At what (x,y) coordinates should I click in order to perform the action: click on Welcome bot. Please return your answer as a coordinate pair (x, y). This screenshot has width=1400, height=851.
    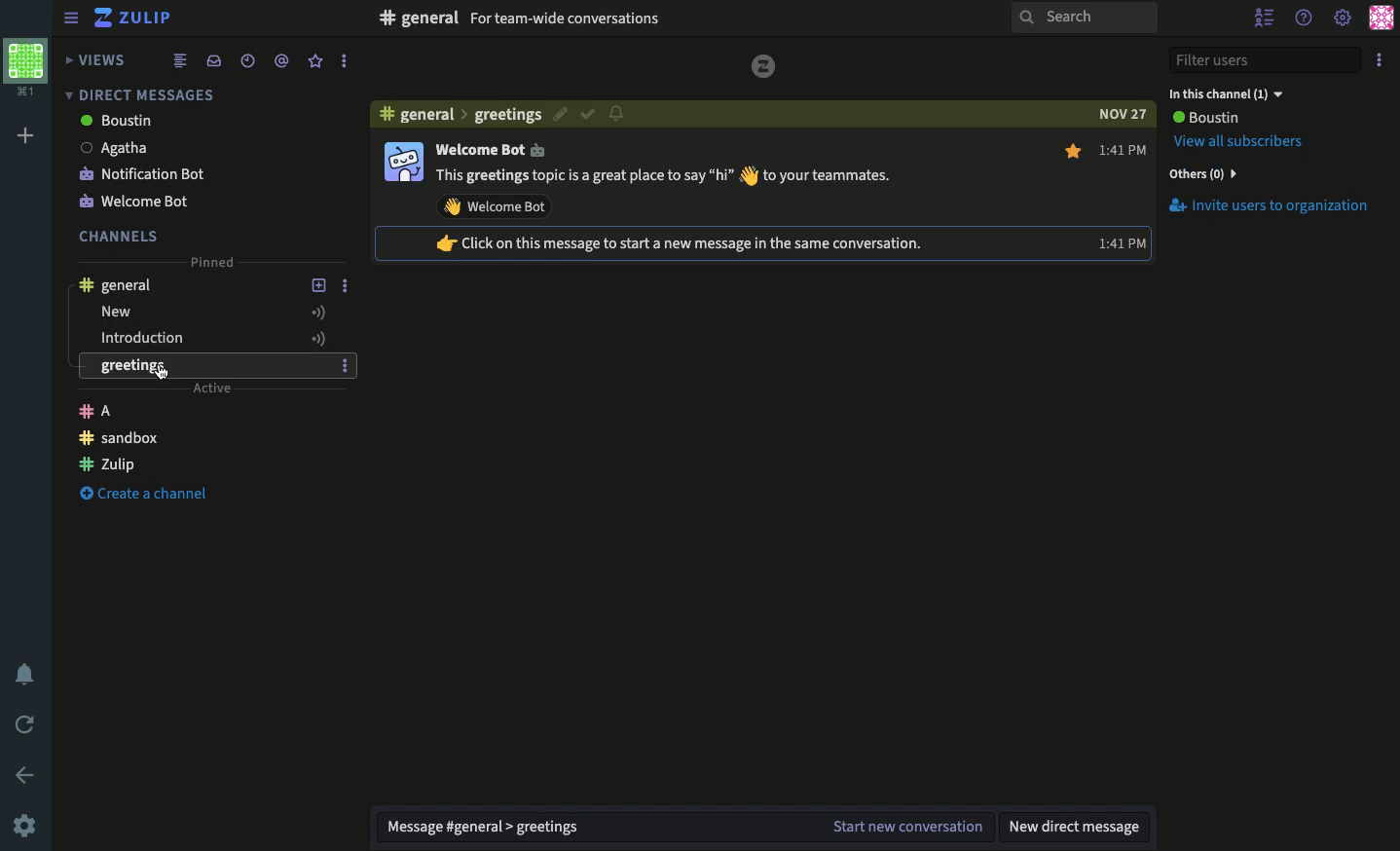
    Looking at the image, I should click on (184, 200).